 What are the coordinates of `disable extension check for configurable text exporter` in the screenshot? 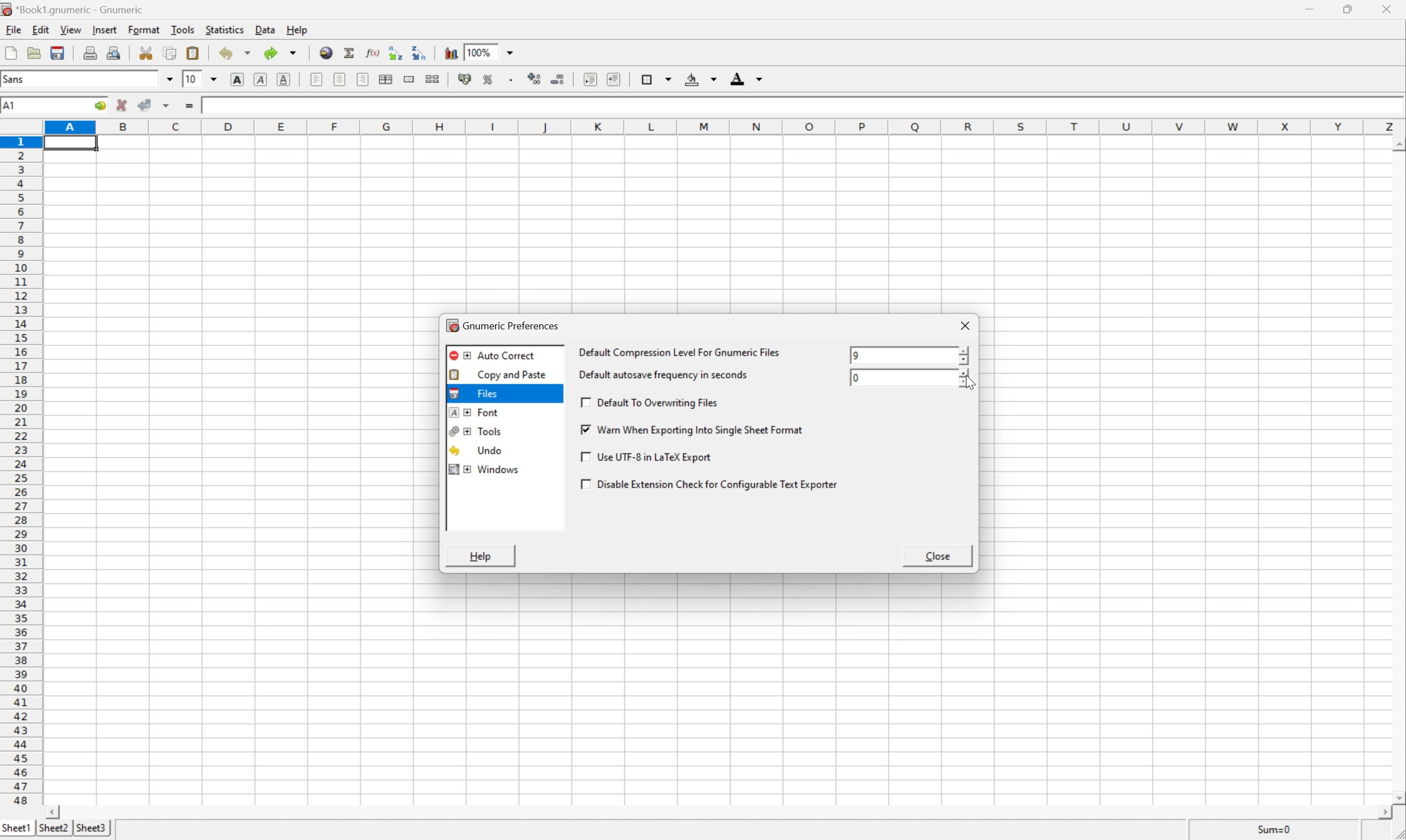 It's located at (713, 483).